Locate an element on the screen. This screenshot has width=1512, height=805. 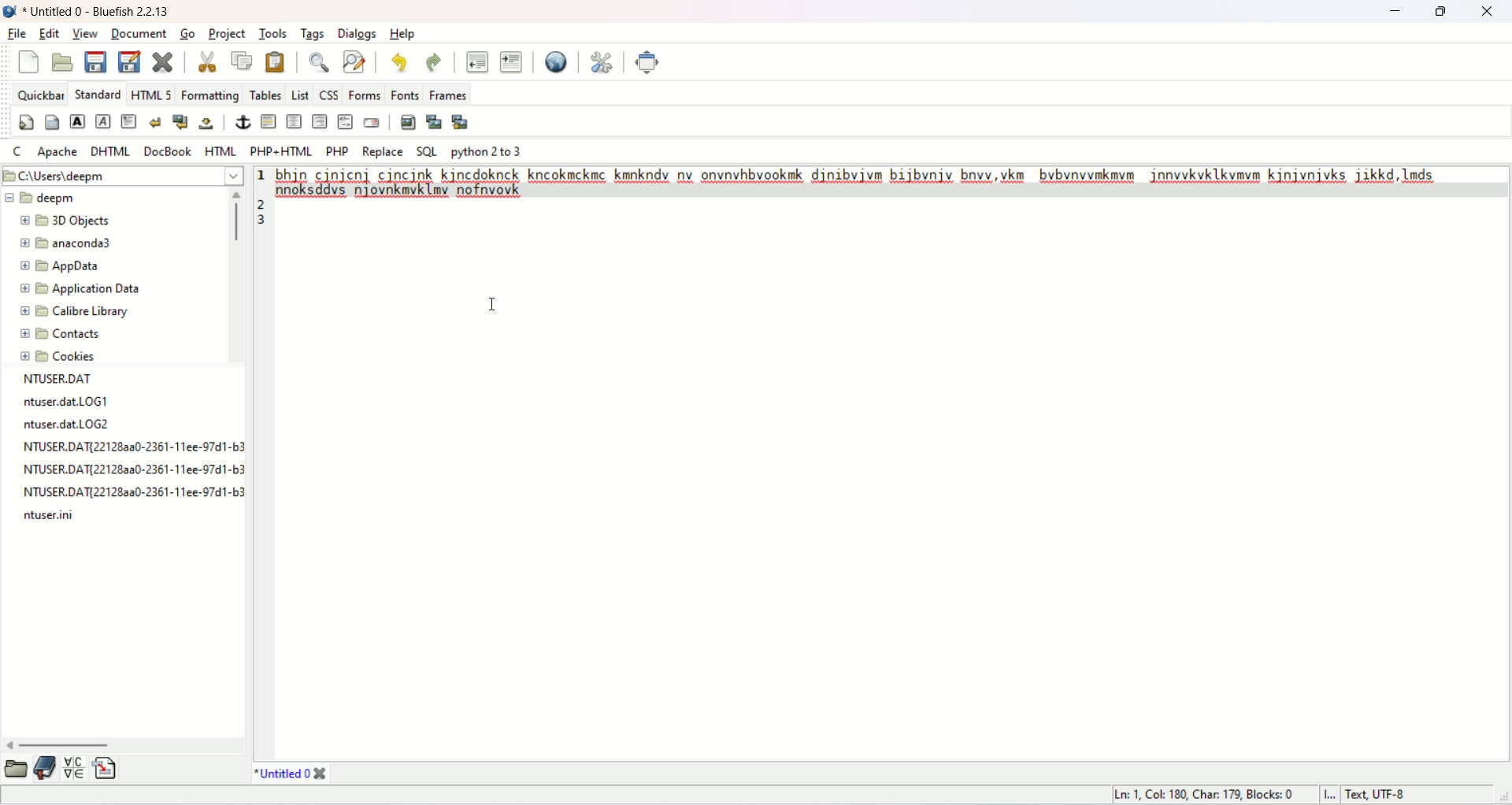
insert thumbnail is located at coordinates (435, 121).